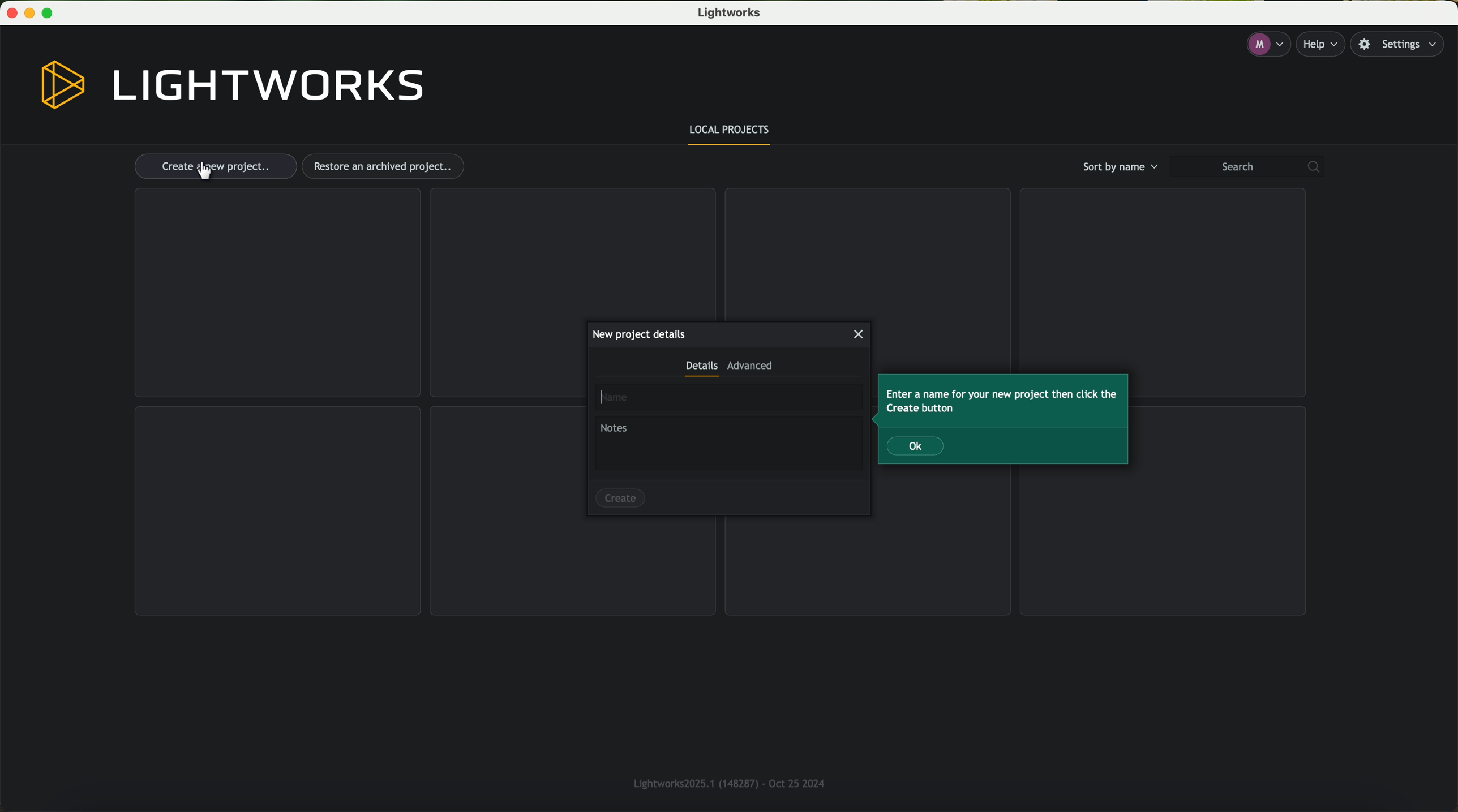 Image resolution: width=1458 pixels, height=812 pixels. What do you see at coordinates (1160, 274) in the screenshot?
I see `grid` at bounding box center [1160, 274].